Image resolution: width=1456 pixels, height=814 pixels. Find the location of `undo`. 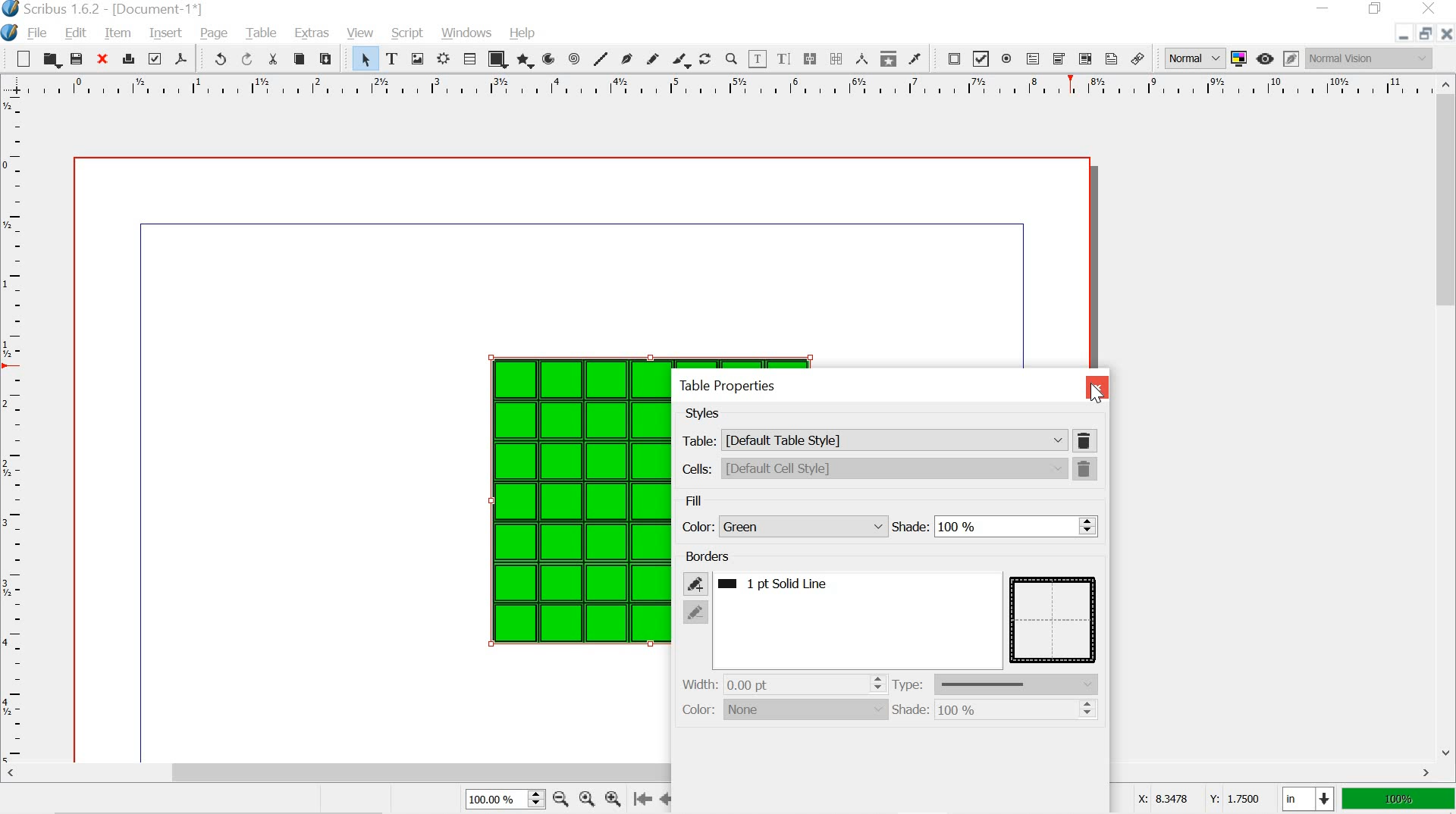

undo is located at coordinates (217, 58).